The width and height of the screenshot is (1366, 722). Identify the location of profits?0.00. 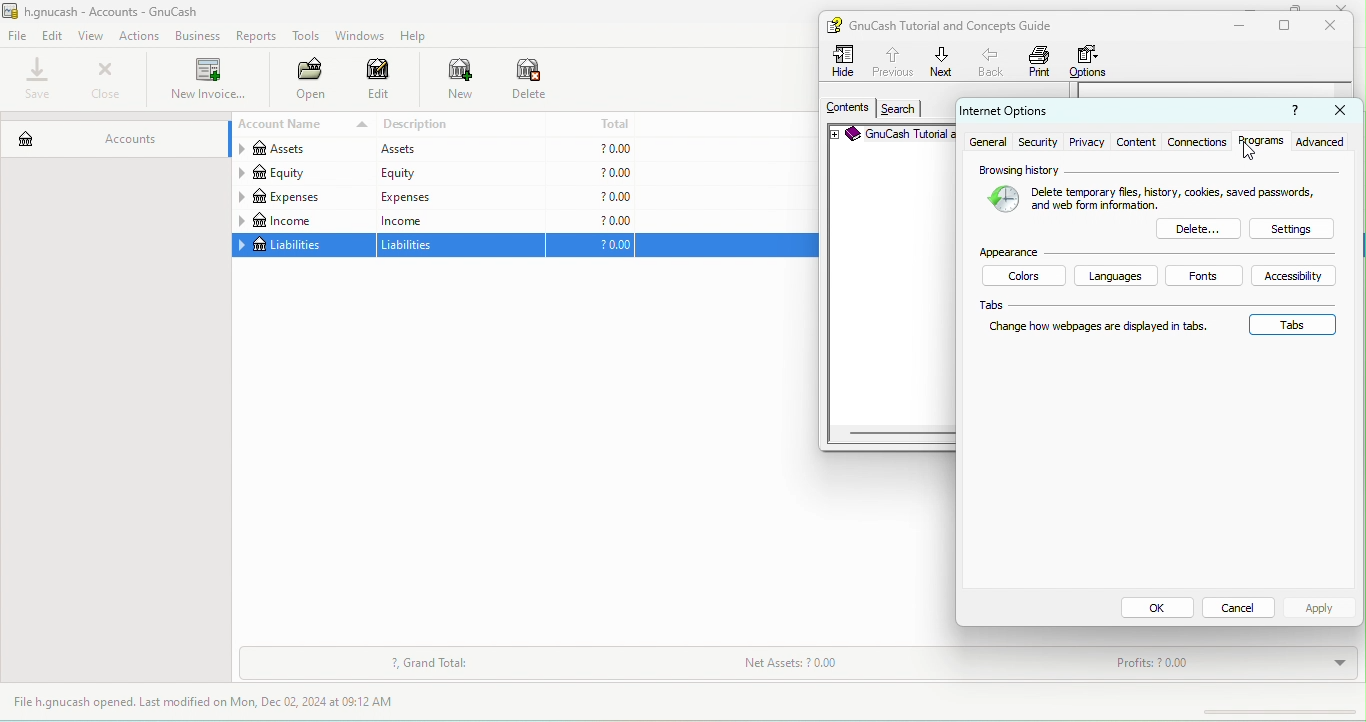
(1223, 664).